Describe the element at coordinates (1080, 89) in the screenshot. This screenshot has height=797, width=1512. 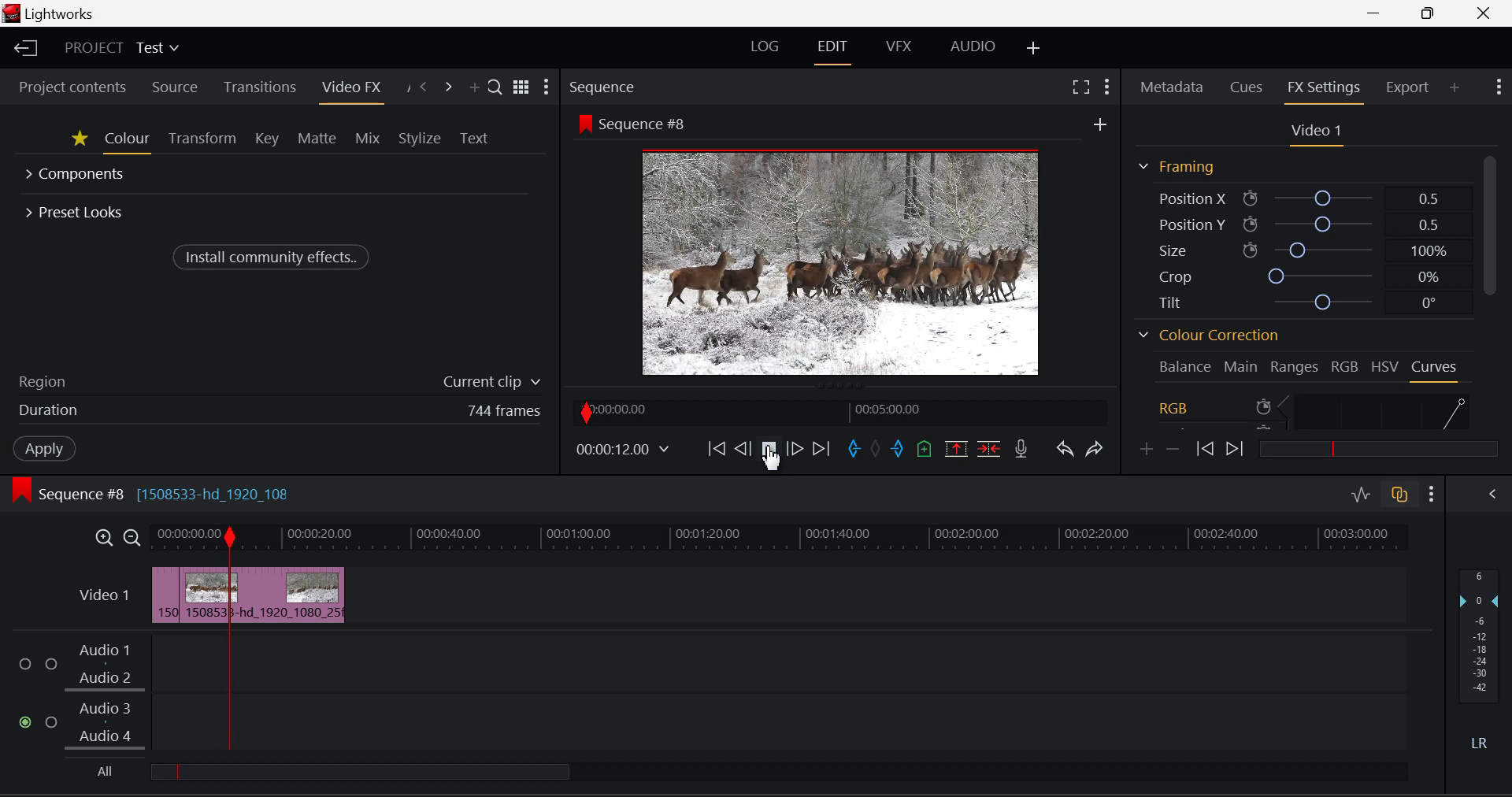
I see `Full Screen` at that location.